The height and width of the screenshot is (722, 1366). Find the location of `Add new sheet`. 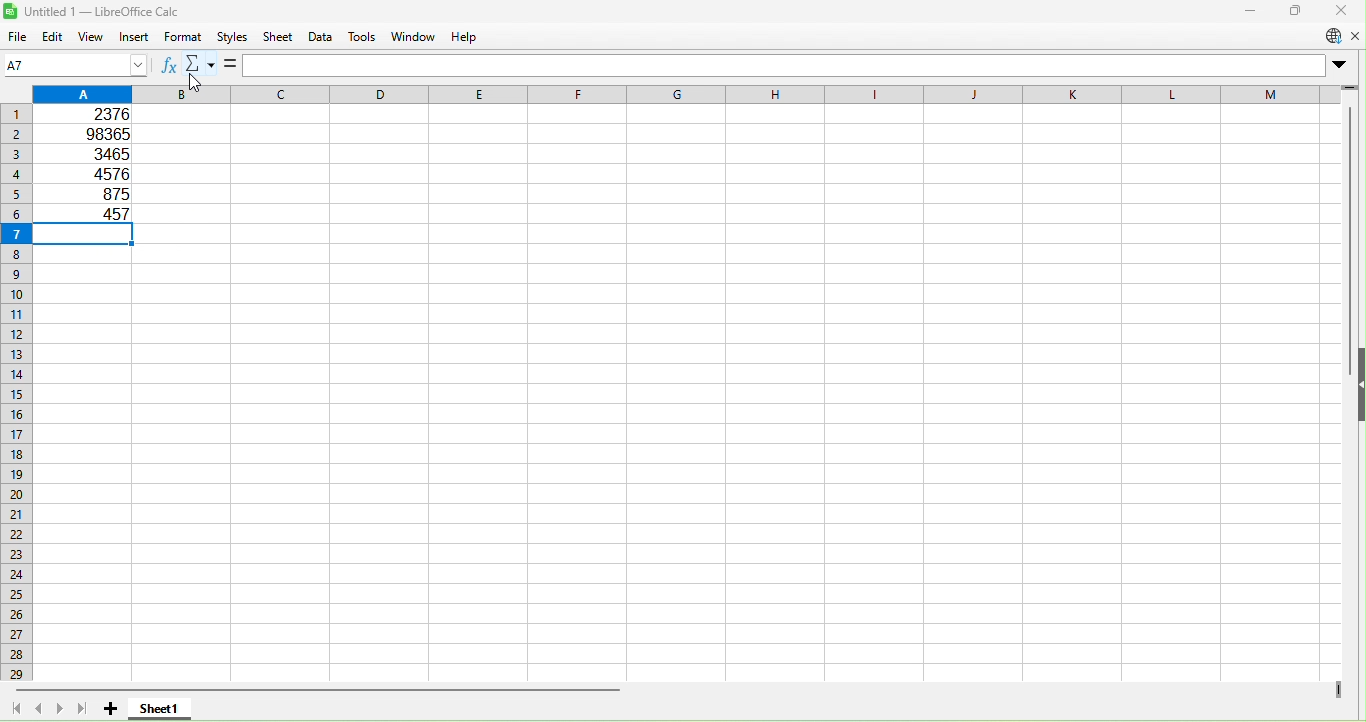

Add new sheet is located at coordinates (113, 707).